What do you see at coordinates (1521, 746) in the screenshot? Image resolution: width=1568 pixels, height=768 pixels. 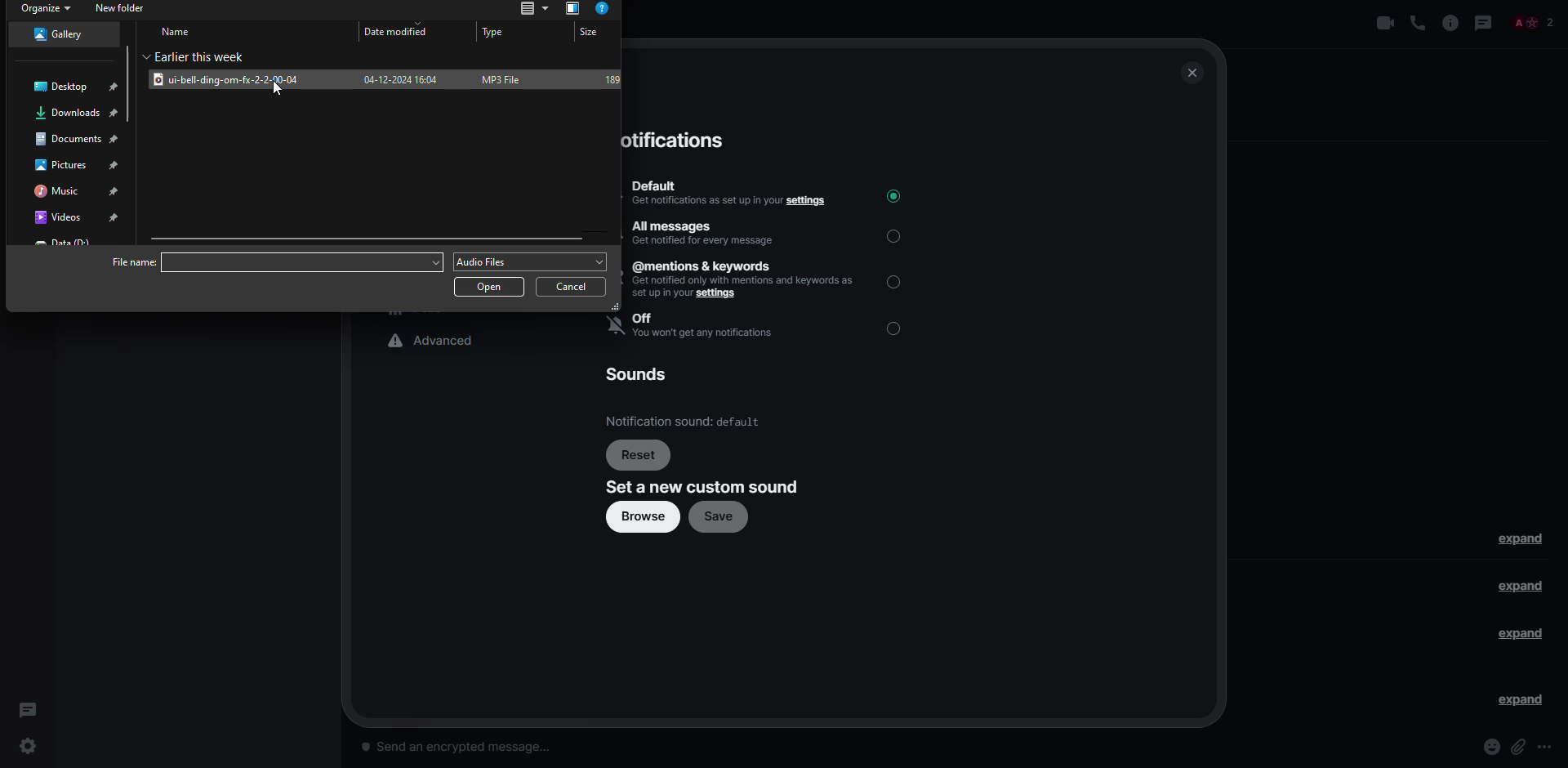 I see `attach` at bounding box center [1521, 746].